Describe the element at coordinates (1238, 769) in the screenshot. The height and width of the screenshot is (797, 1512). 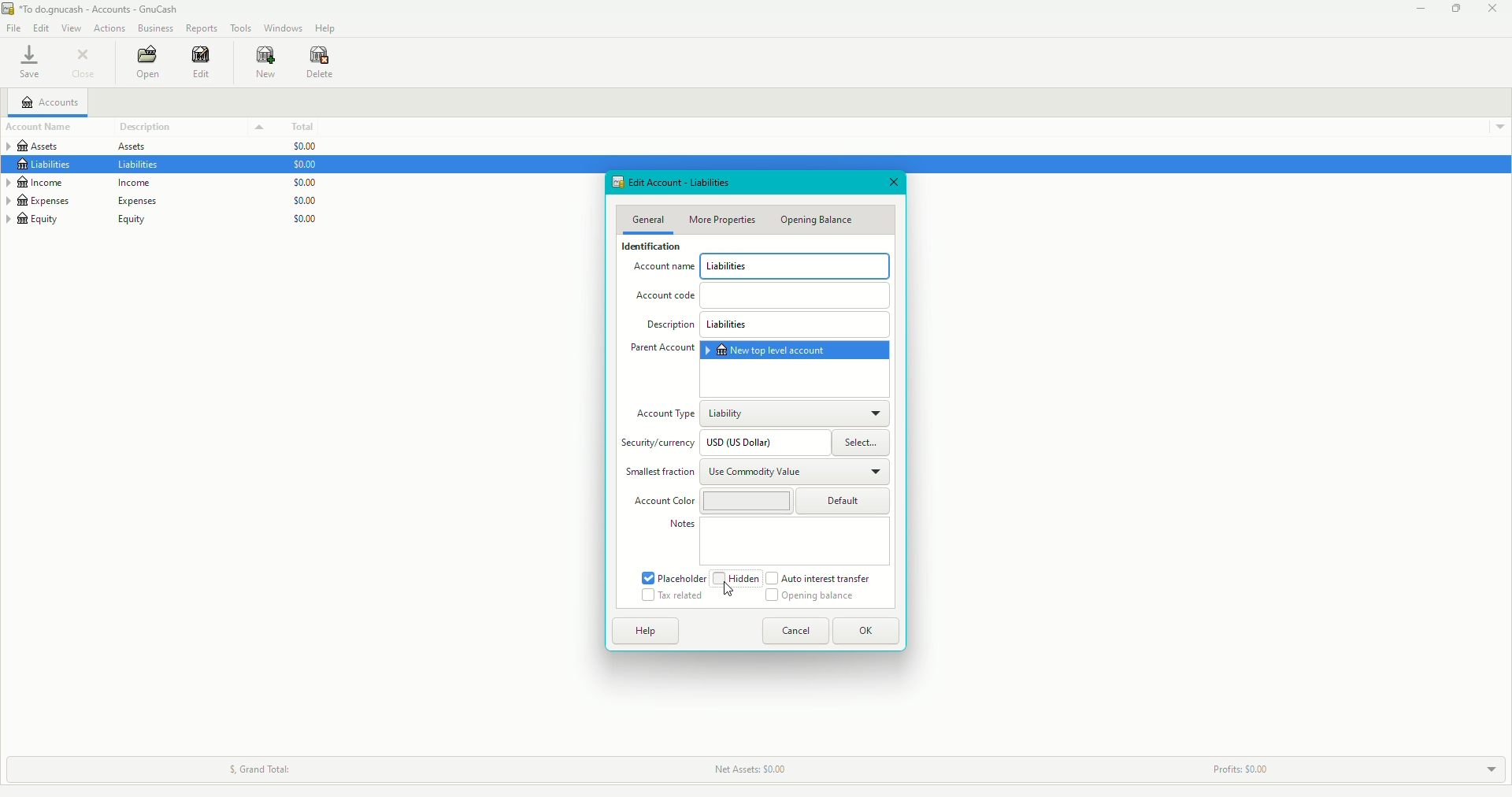
I see `Profits` at that location.